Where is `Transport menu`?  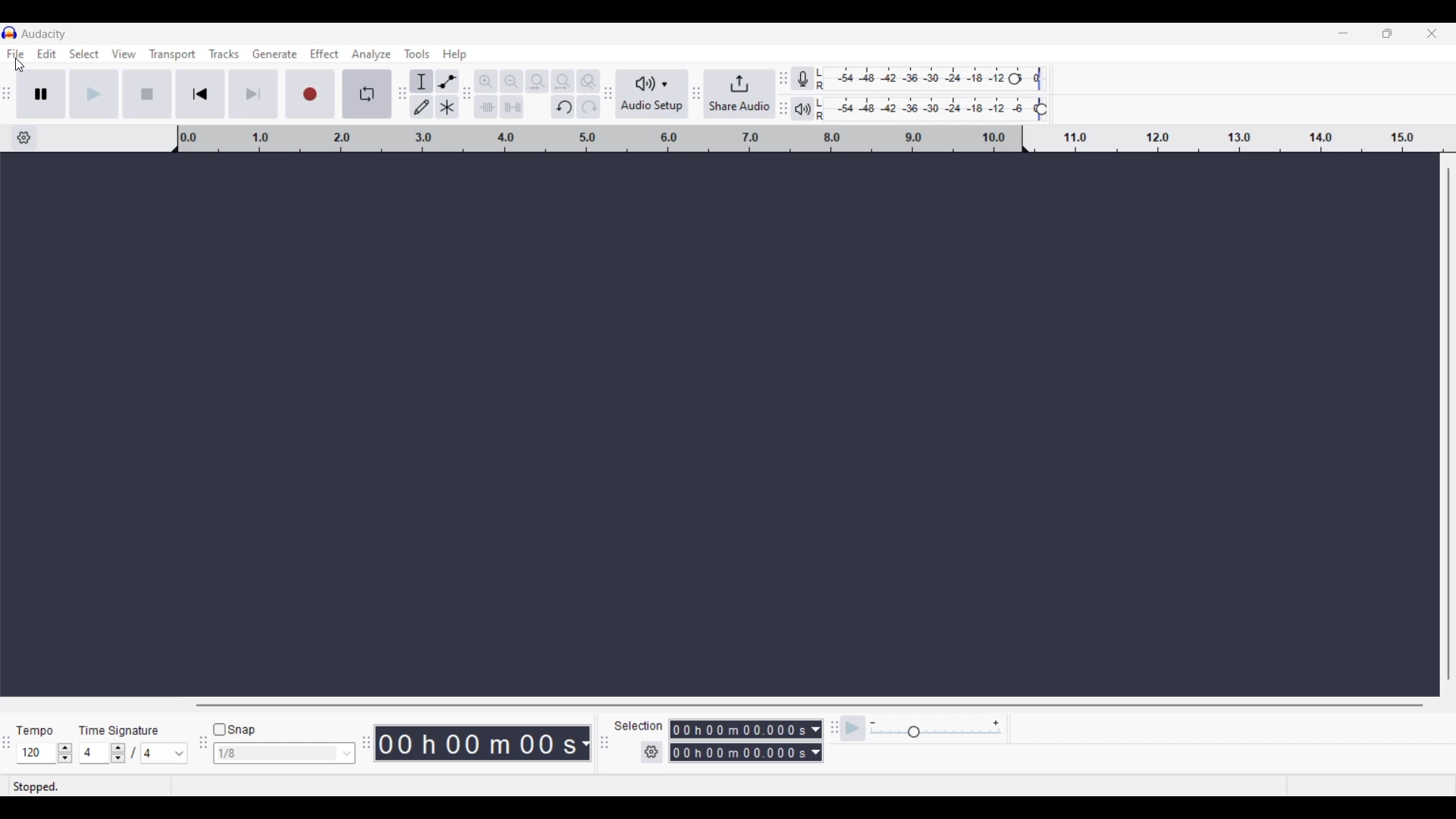
Transport menu is located at coordinates (172, 54).